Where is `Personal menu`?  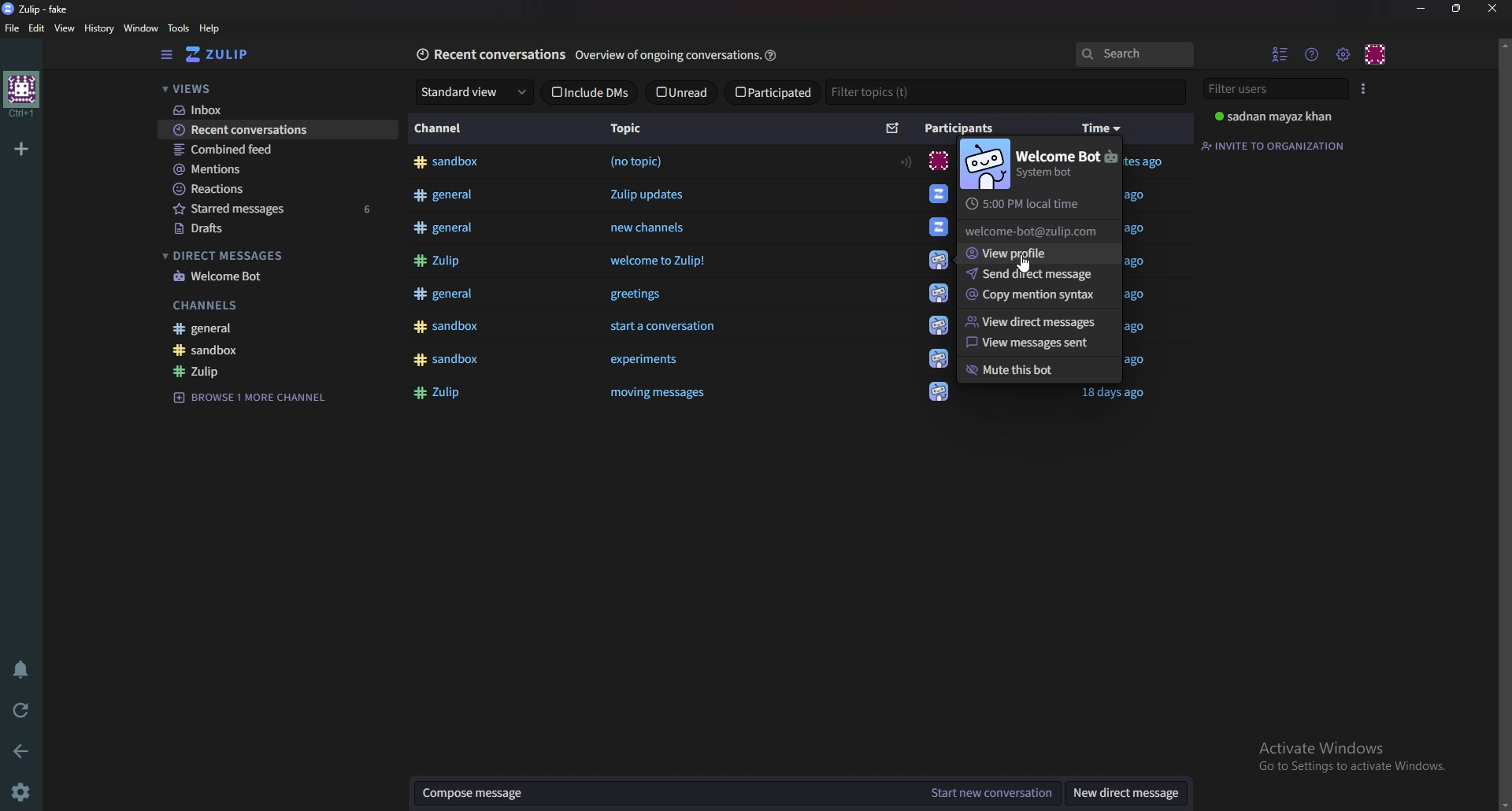
Personal menu is located at coordinates (1376, 54).